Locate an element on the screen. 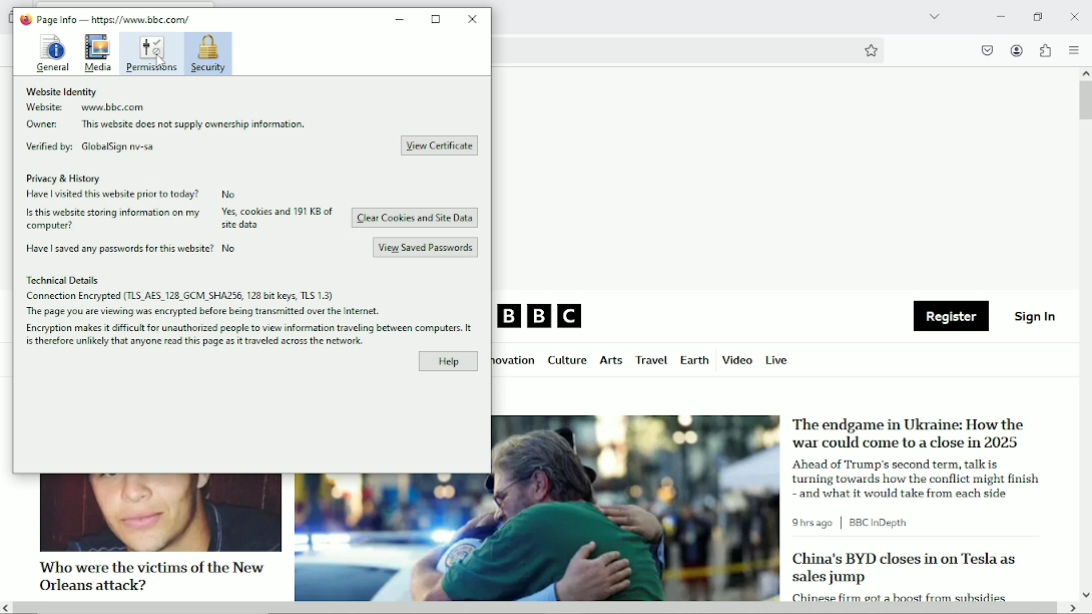 This screenshot has width=1092, height=614. Extensions is located at coordinates (1044, 50).